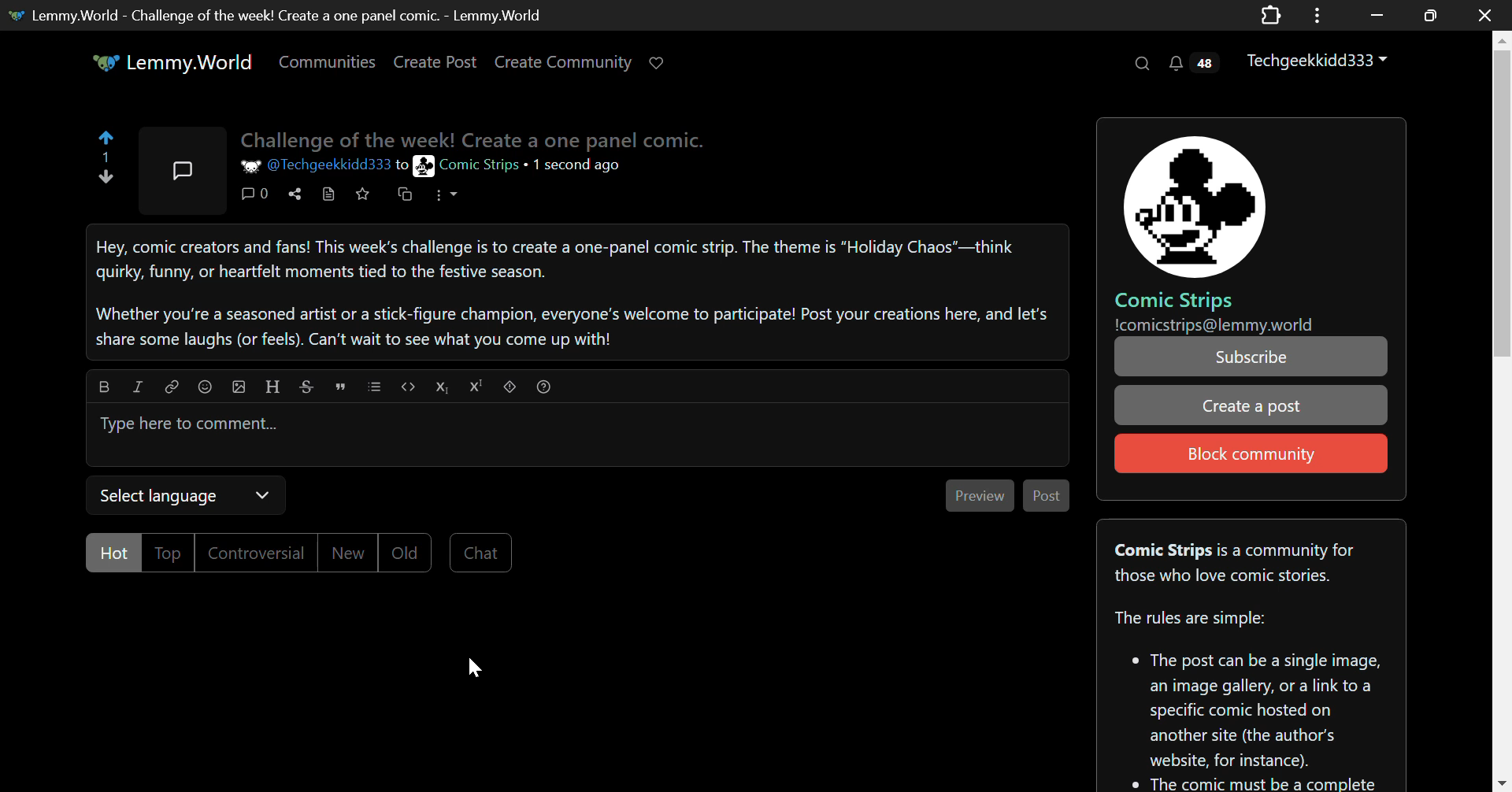 Image resolution: width=1512 pixels, height=792 pixels. Describe the element at coordinates (1191, 65) in the screenshot. I see `Notifications` at that location.